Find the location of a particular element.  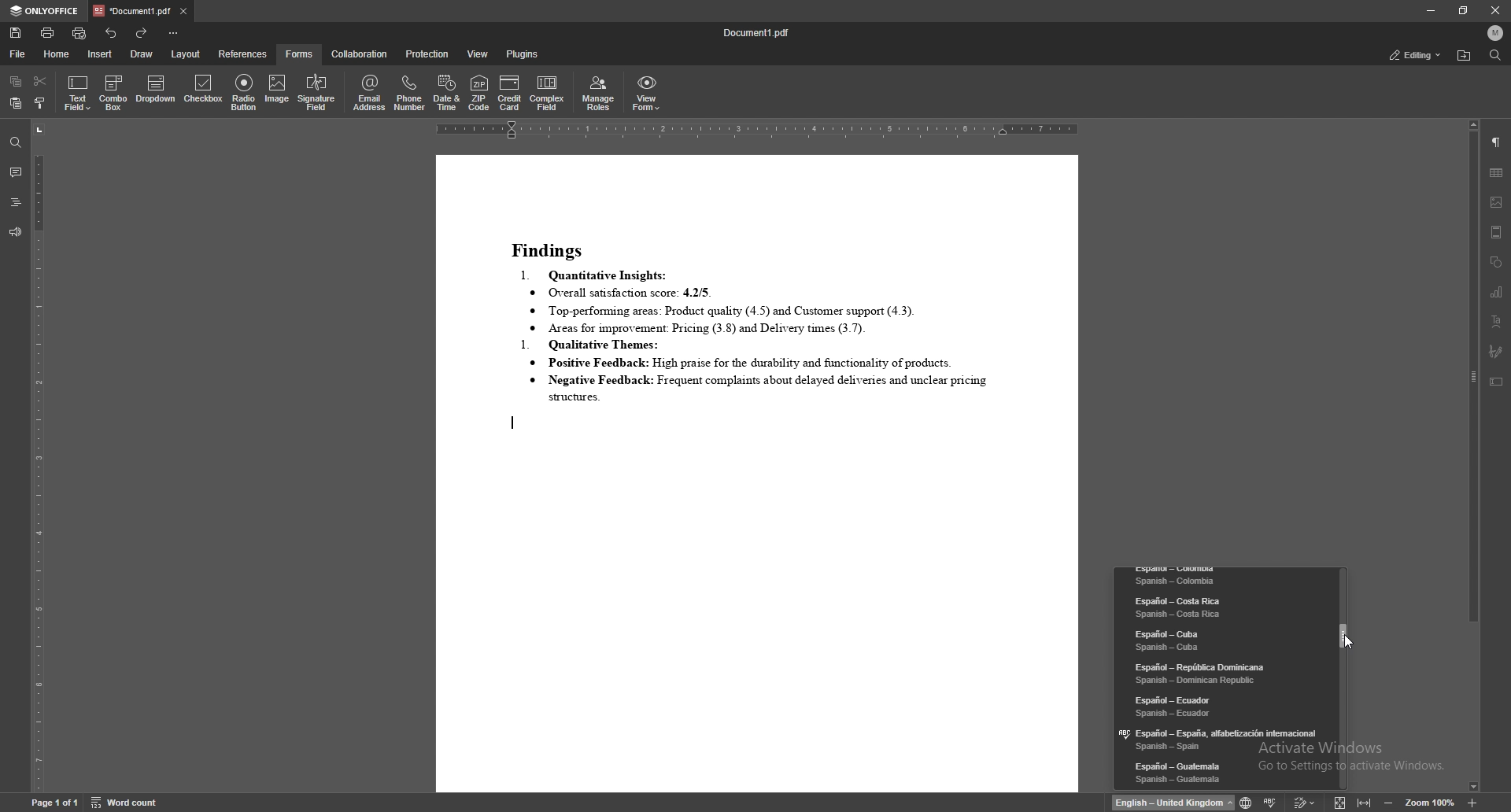

insert is located at coordinates (99, 54).